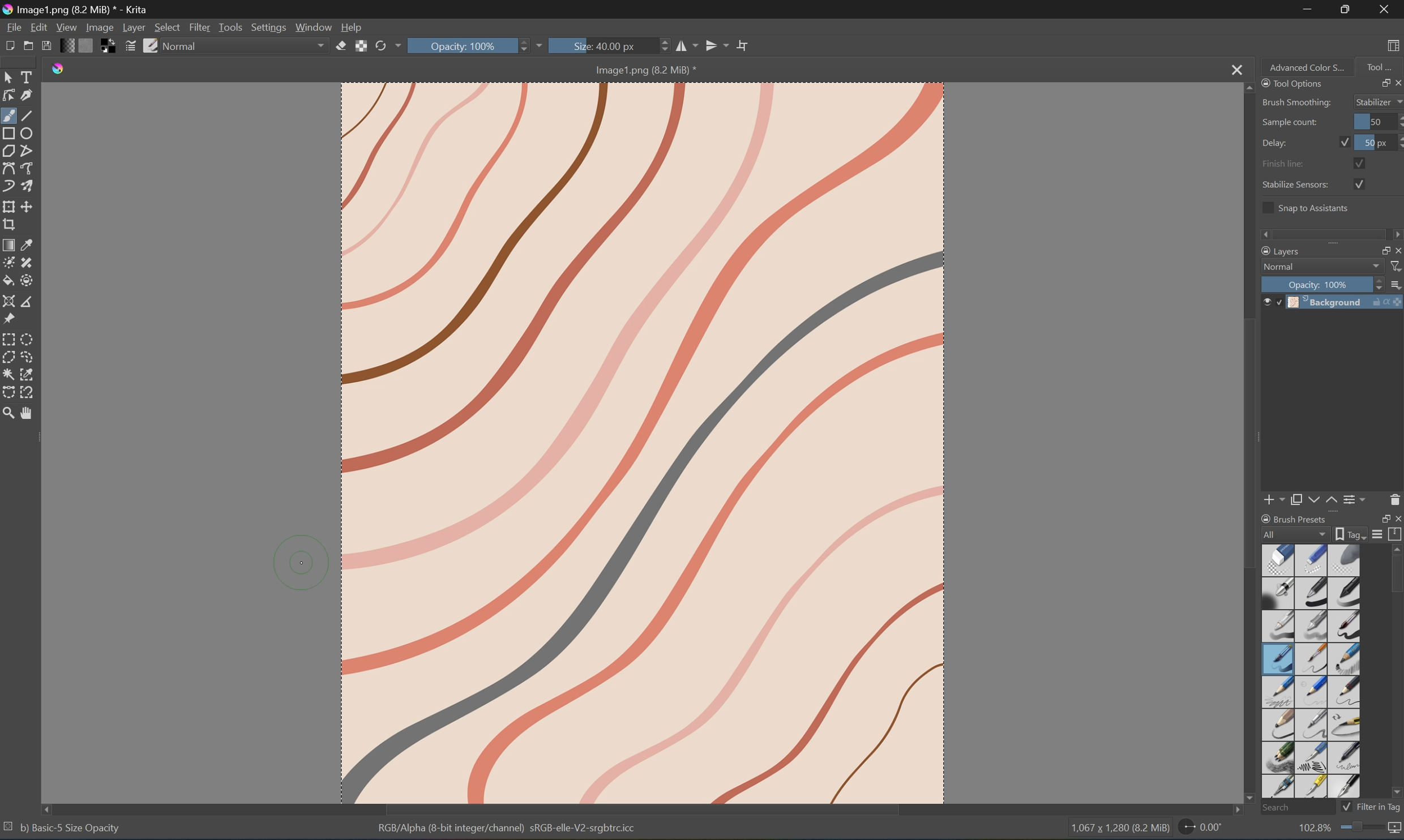 This screenshot has height=840, width=1404. What do you see at coordinates (1396, 518) in the screenshot?
I see `Close` at bounding box center [1396, 518].